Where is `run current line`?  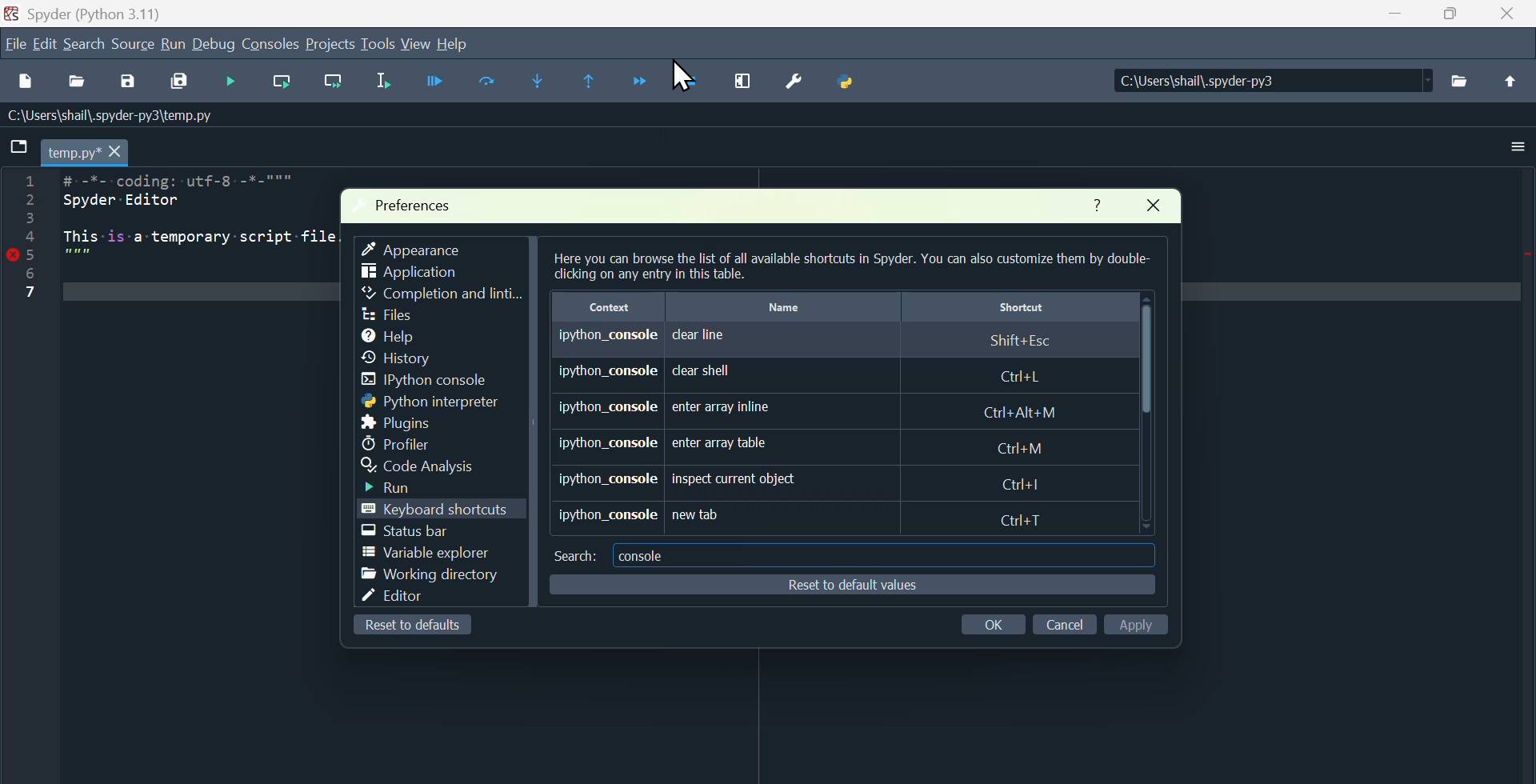 run current line is located at coordinates (286, 84).